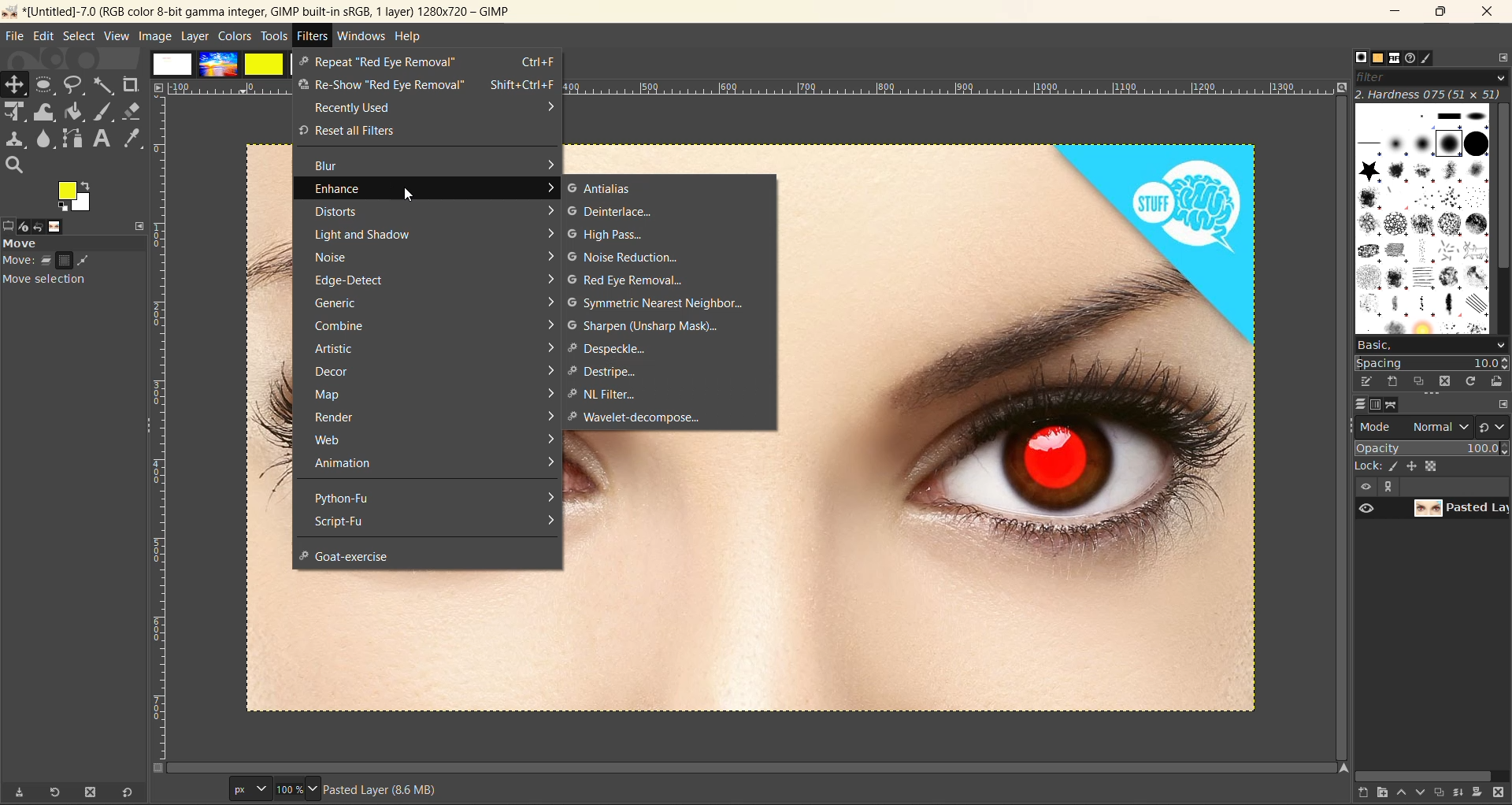  What do you see at coordinates (355, 557) in the screenshot?
I see `goat exercise` at bounding box center [355, 557].